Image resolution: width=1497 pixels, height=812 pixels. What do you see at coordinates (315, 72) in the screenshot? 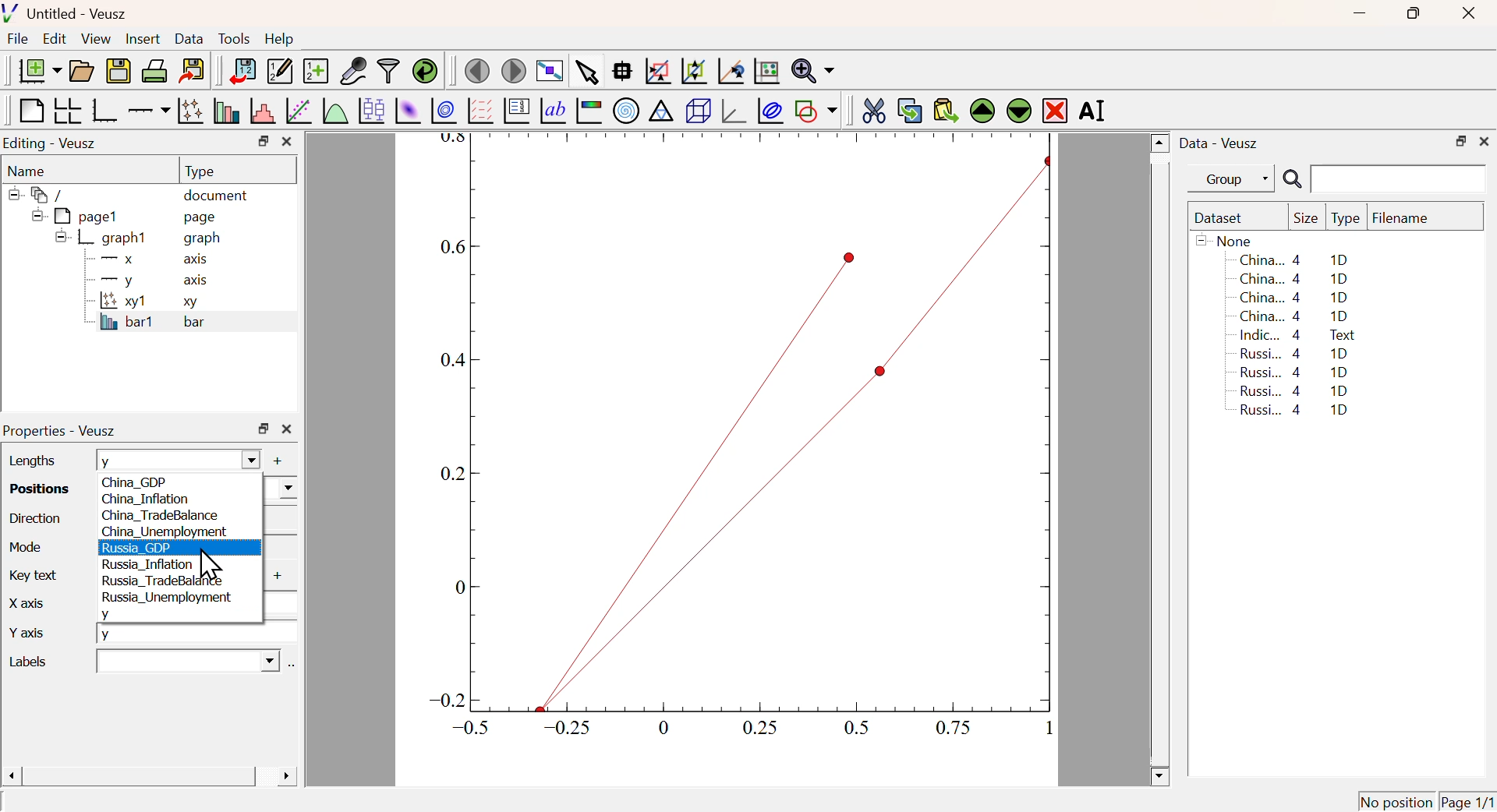
I see `Create new dataset` at bounding box center [315, 72].